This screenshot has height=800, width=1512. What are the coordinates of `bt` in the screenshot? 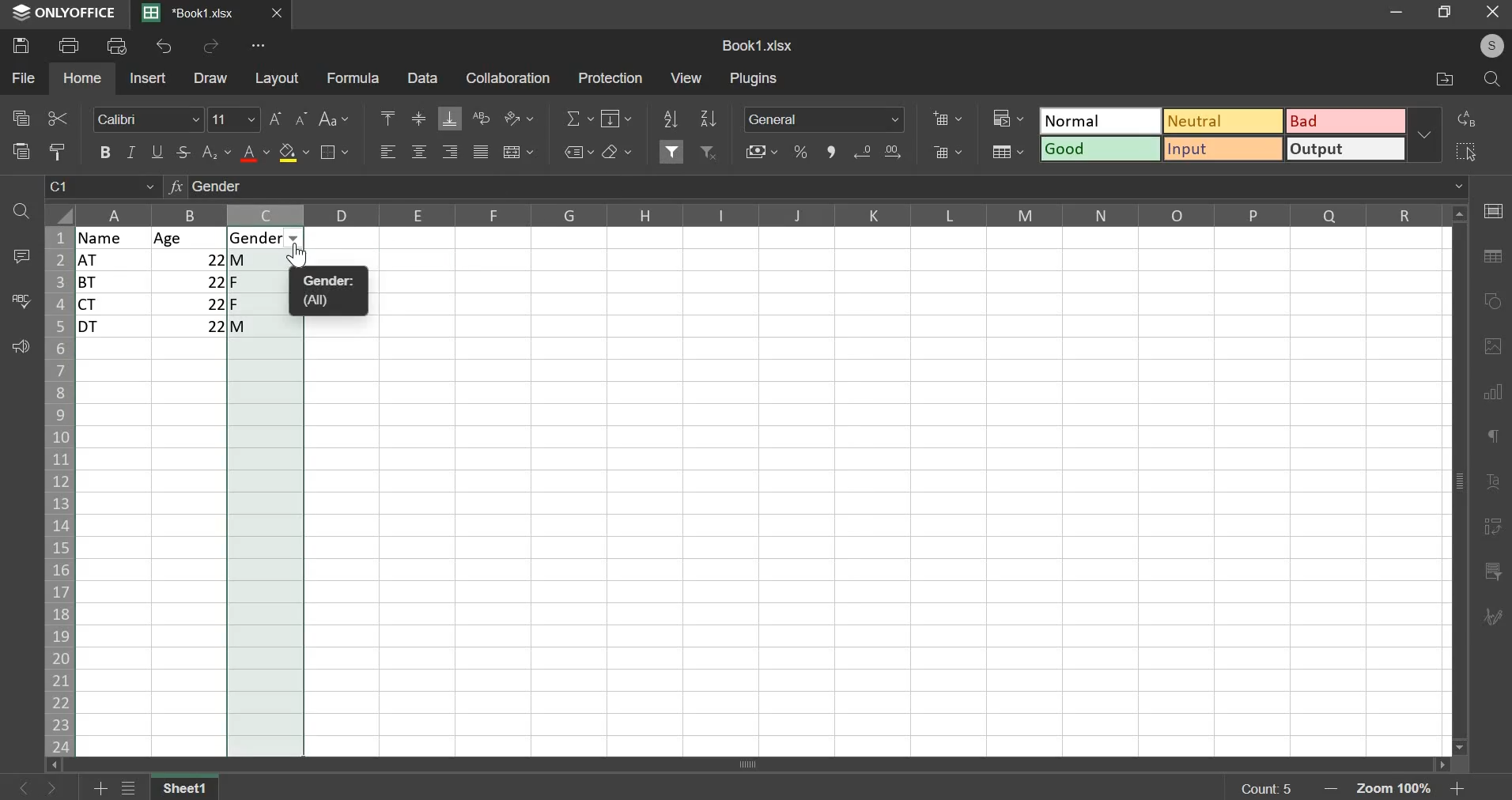 It's located at (112, 282).